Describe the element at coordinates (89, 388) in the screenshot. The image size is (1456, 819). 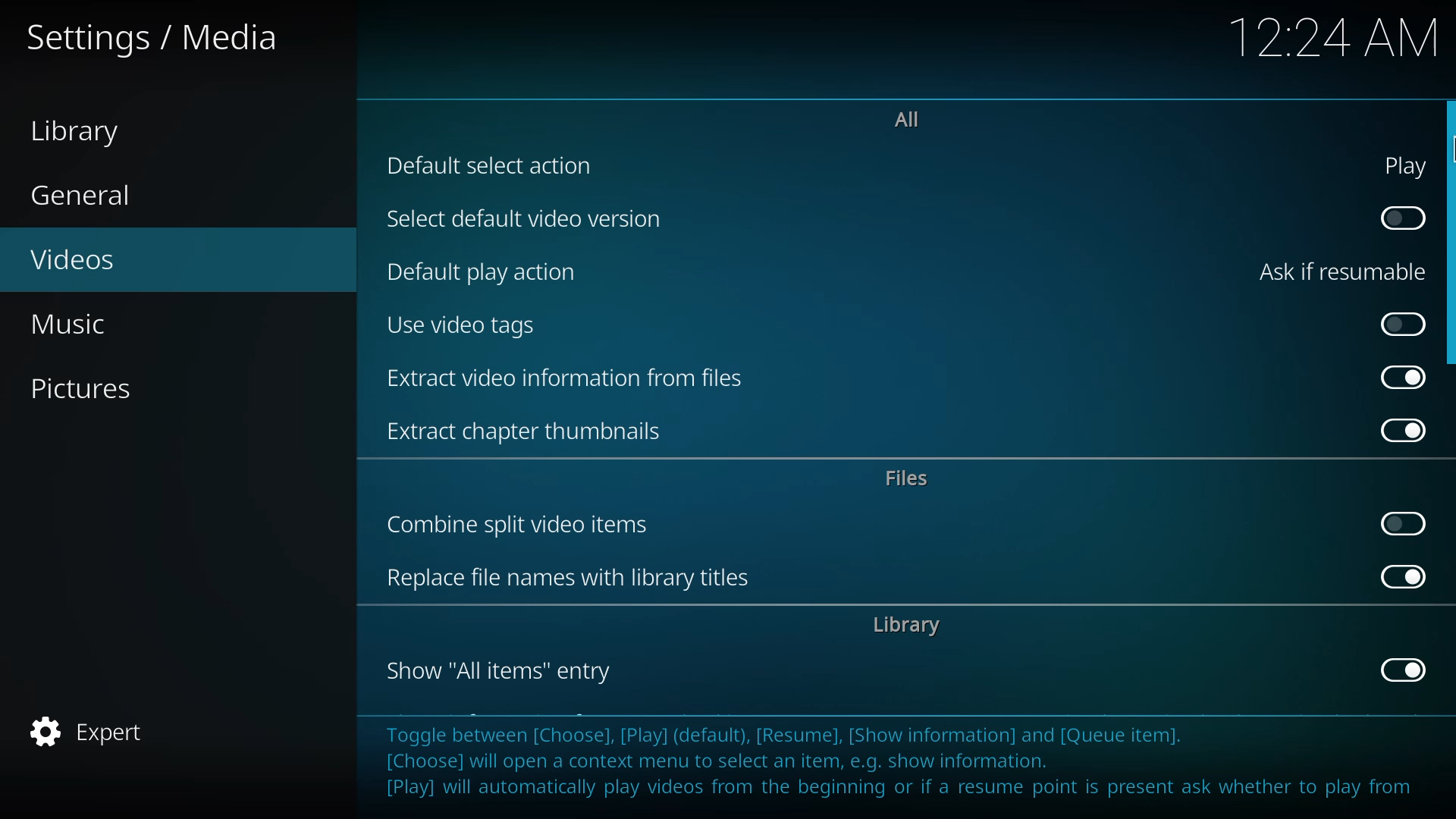
I see `pictures` at that location.